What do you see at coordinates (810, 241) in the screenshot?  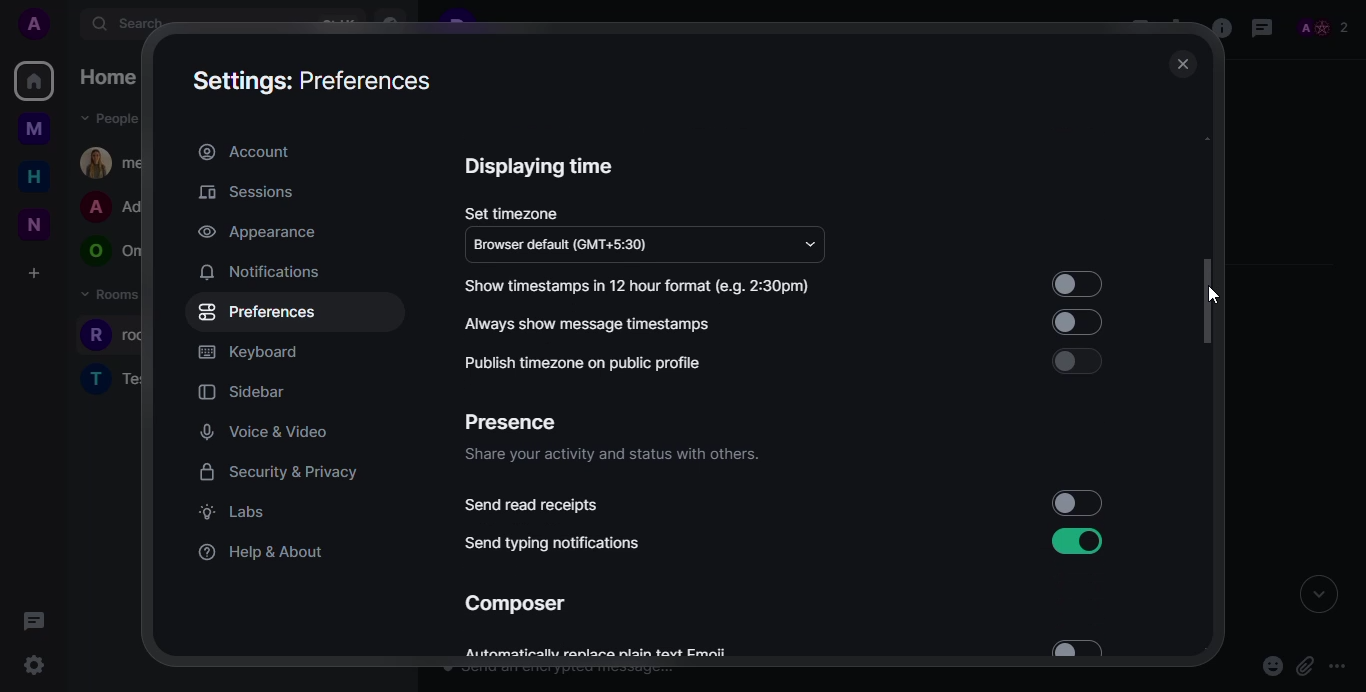 I see `drop down` at bounding box center [810, 241].